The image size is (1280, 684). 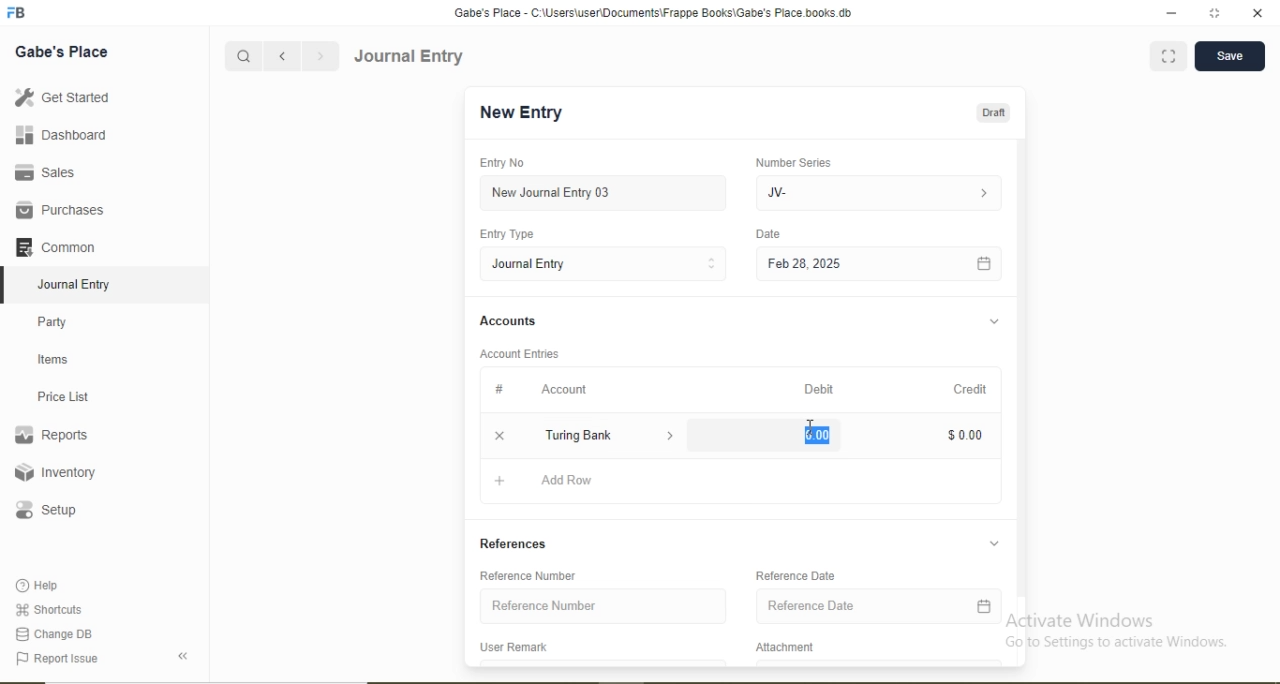 I want to click on Accounts, so click(x=508, y=320).